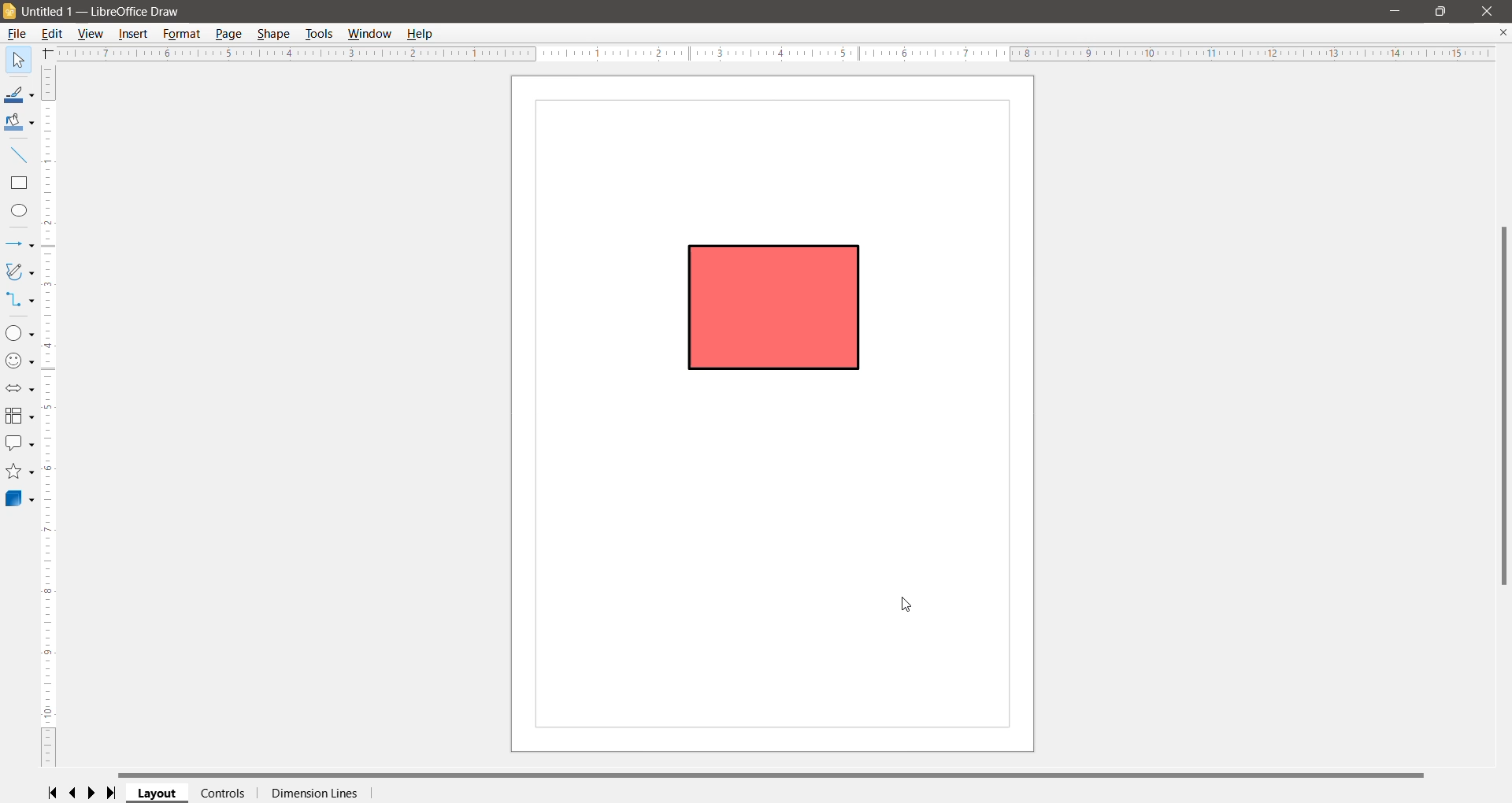 Image resolution: width=1512 pixels, height=803 pixels. What do you see at coordinates (774, 54) in the screenshot?
I see `Horizontal Ruler` at bounding box center [774, 54].